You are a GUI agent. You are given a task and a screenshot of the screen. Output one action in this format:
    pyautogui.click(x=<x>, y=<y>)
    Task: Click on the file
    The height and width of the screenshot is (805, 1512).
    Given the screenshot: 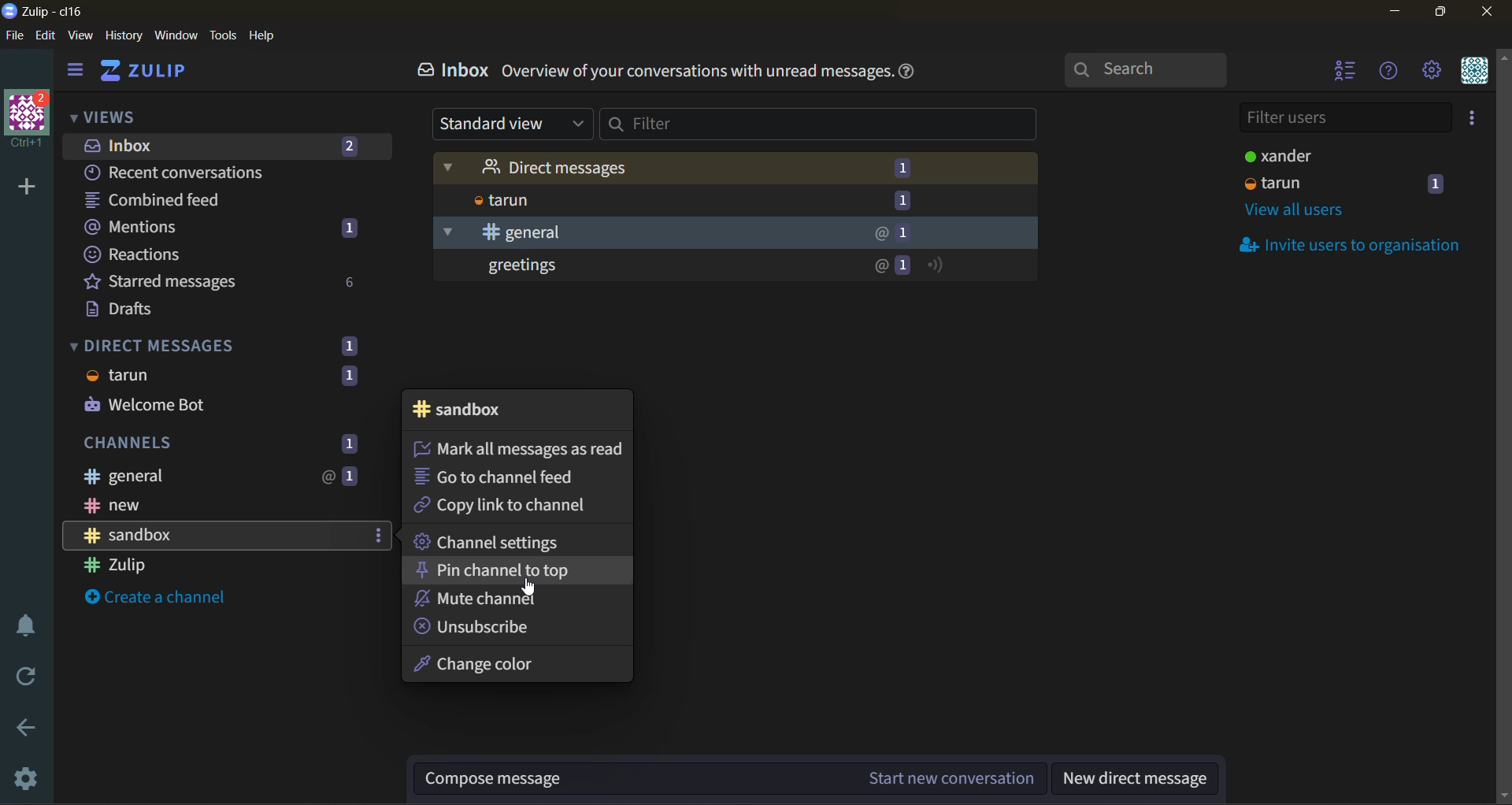 What is the action you would take?
    pyautogui.click(x=15, y=36)
    